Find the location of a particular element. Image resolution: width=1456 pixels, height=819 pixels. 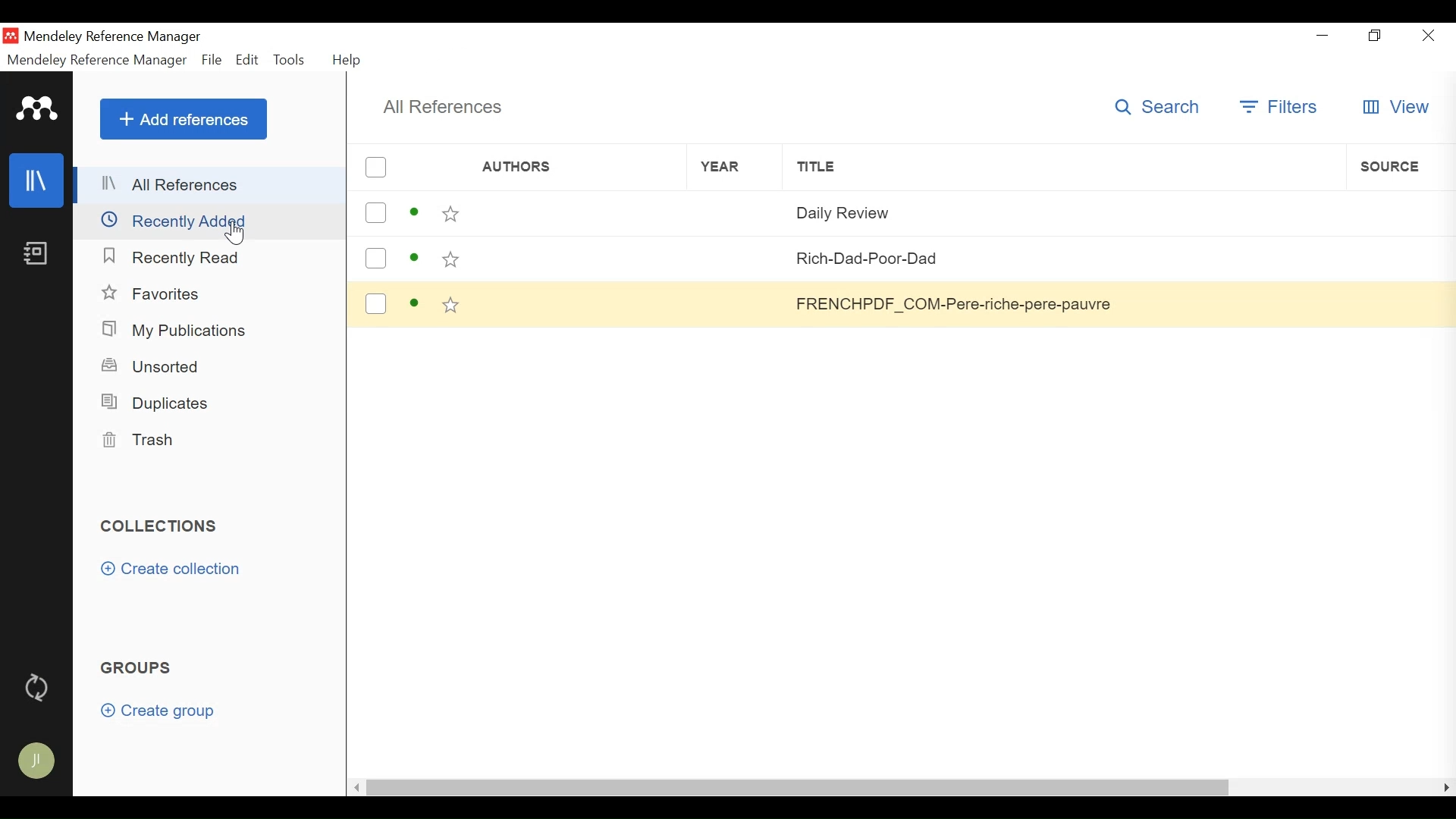

Title is located at coordinates (1059, 258).